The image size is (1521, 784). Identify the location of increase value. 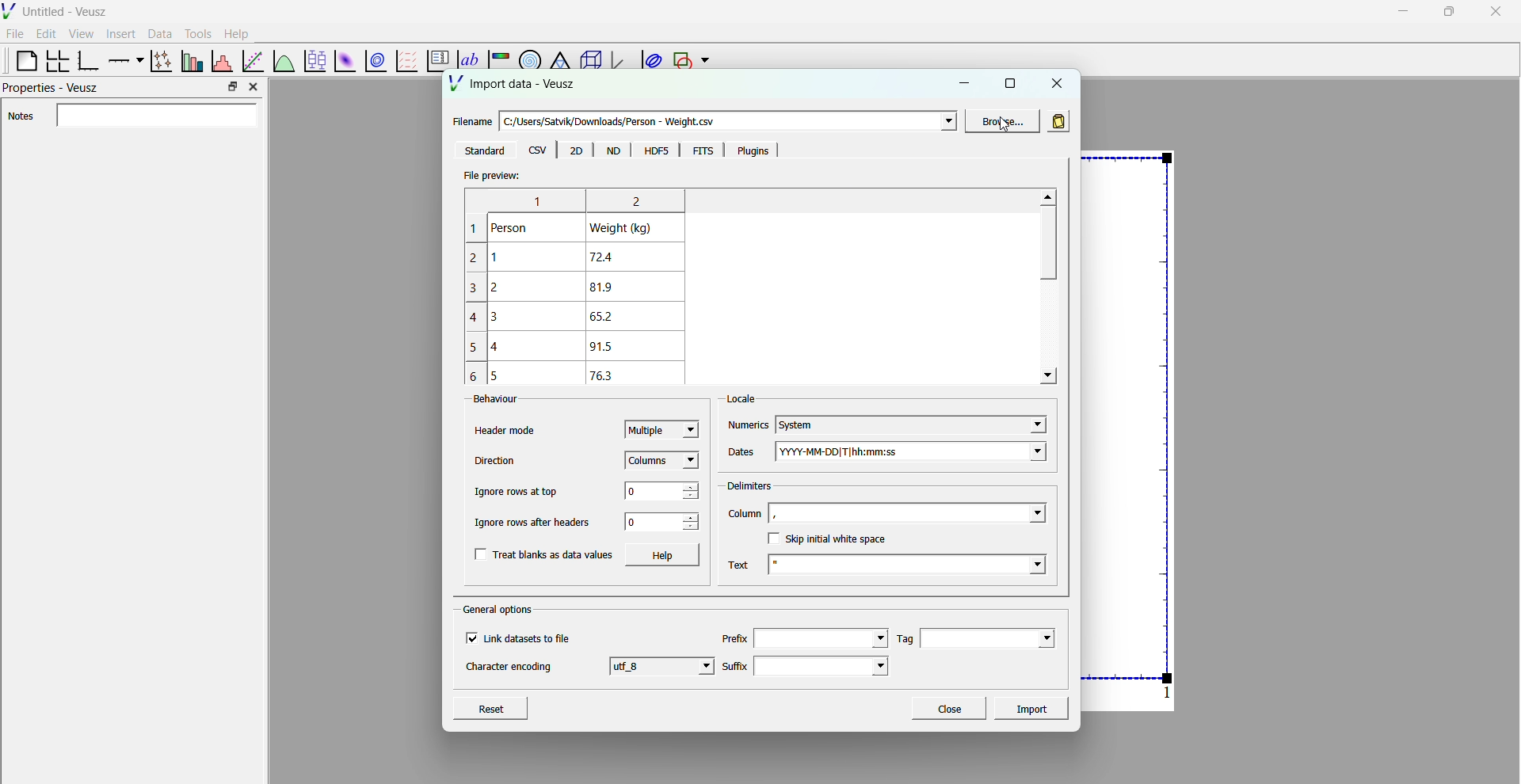
(693, 517).